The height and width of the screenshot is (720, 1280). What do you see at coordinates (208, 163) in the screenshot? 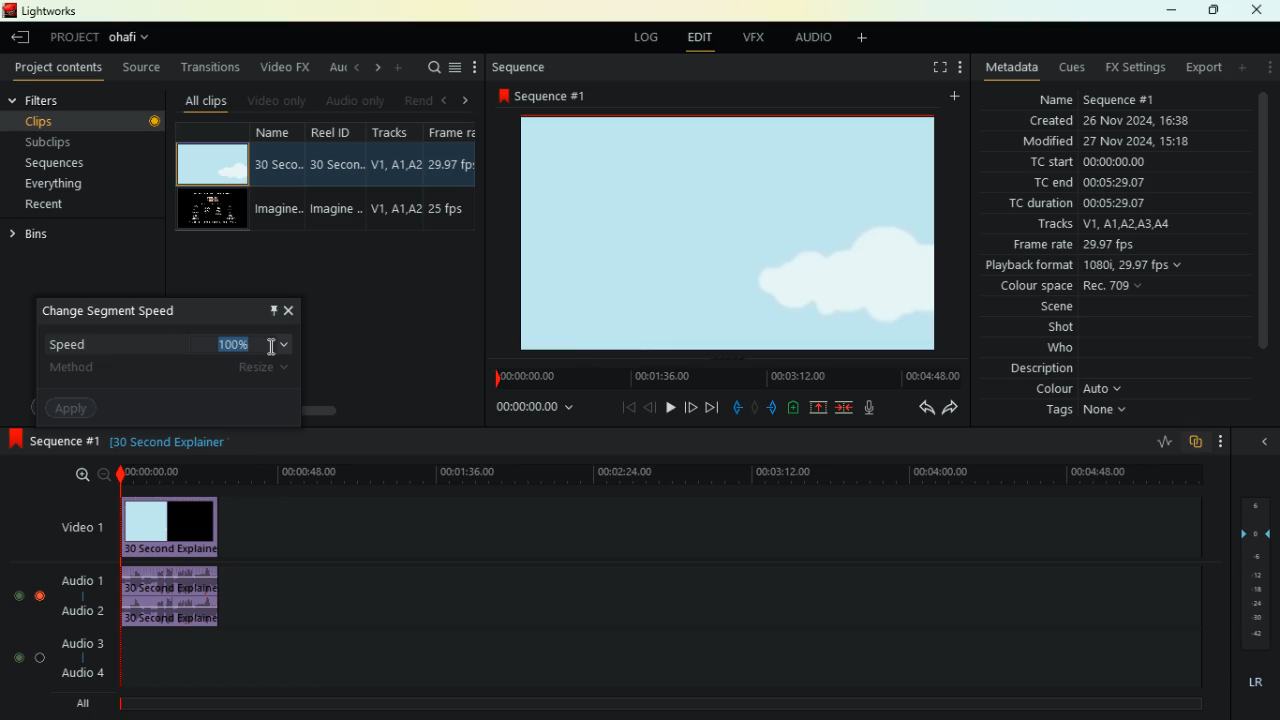
I see `video` at bounding box center [208, 163].